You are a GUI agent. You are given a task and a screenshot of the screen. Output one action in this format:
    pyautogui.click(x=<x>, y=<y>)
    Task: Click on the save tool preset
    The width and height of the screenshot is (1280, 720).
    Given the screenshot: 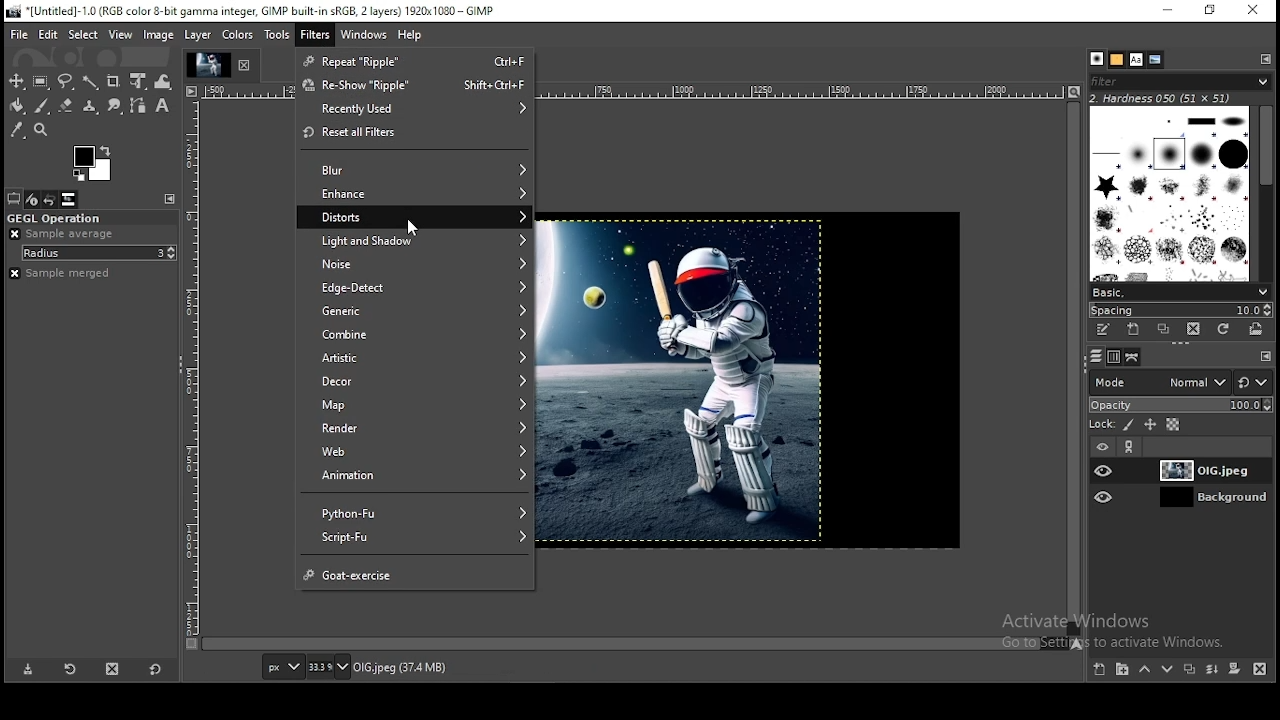 What is the action you would take?
    pyautogui.click(x=30, y=671)
    